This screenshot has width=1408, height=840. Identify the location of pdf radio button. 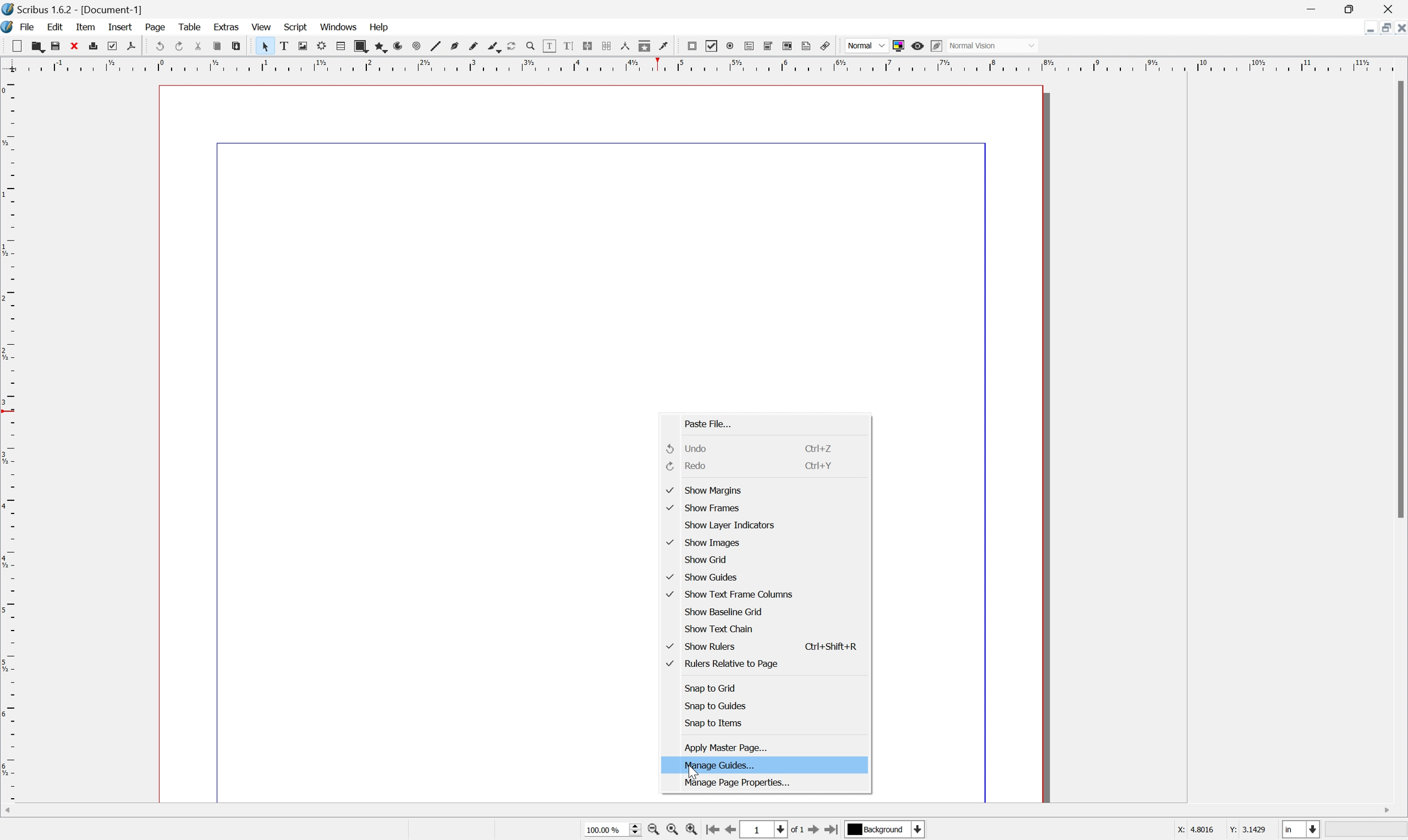
(731, 45).